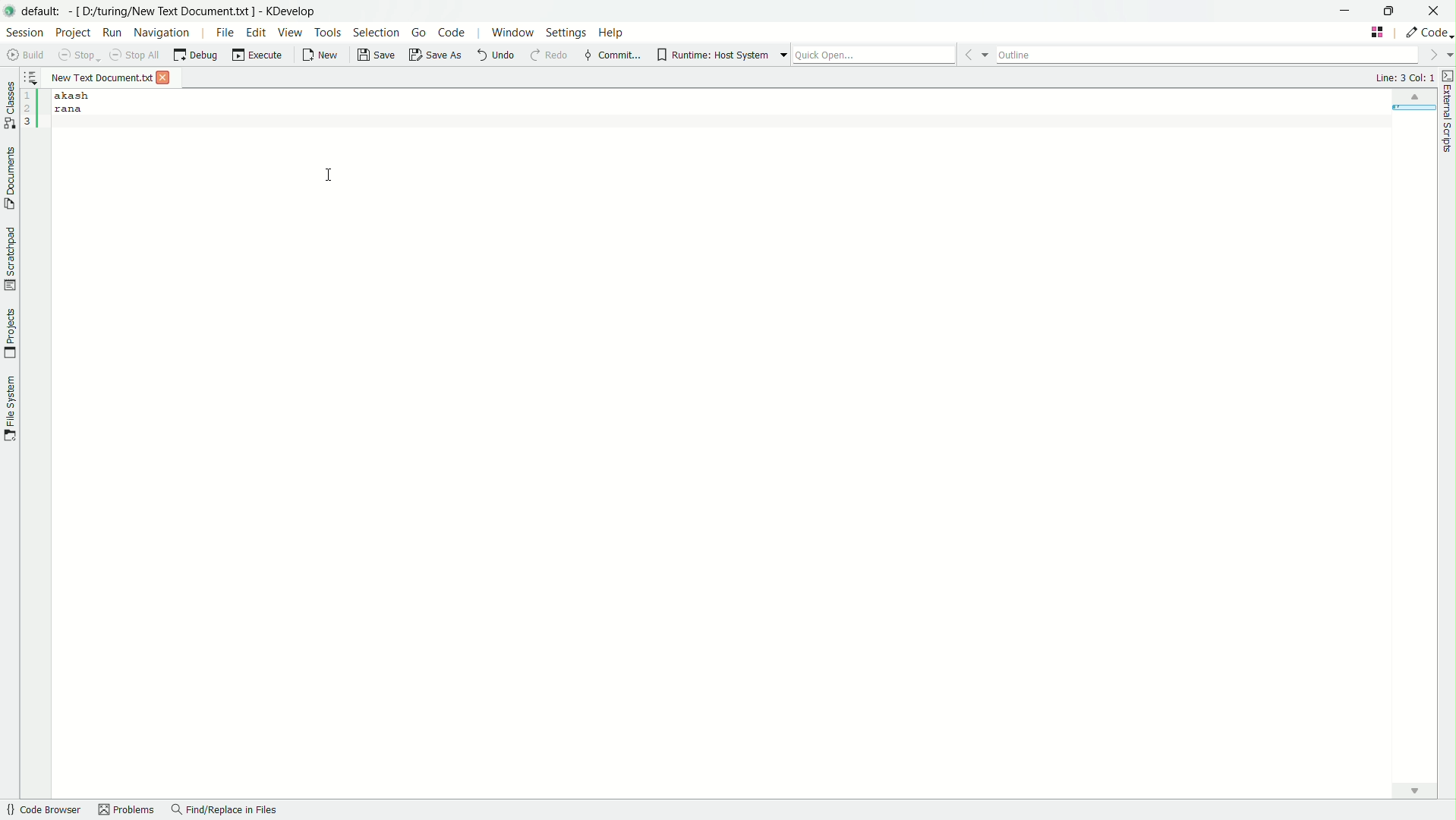  What do you see at coordinates (257, 55) in the screenshot?
I see `execute` at bounding box center [257, 55].